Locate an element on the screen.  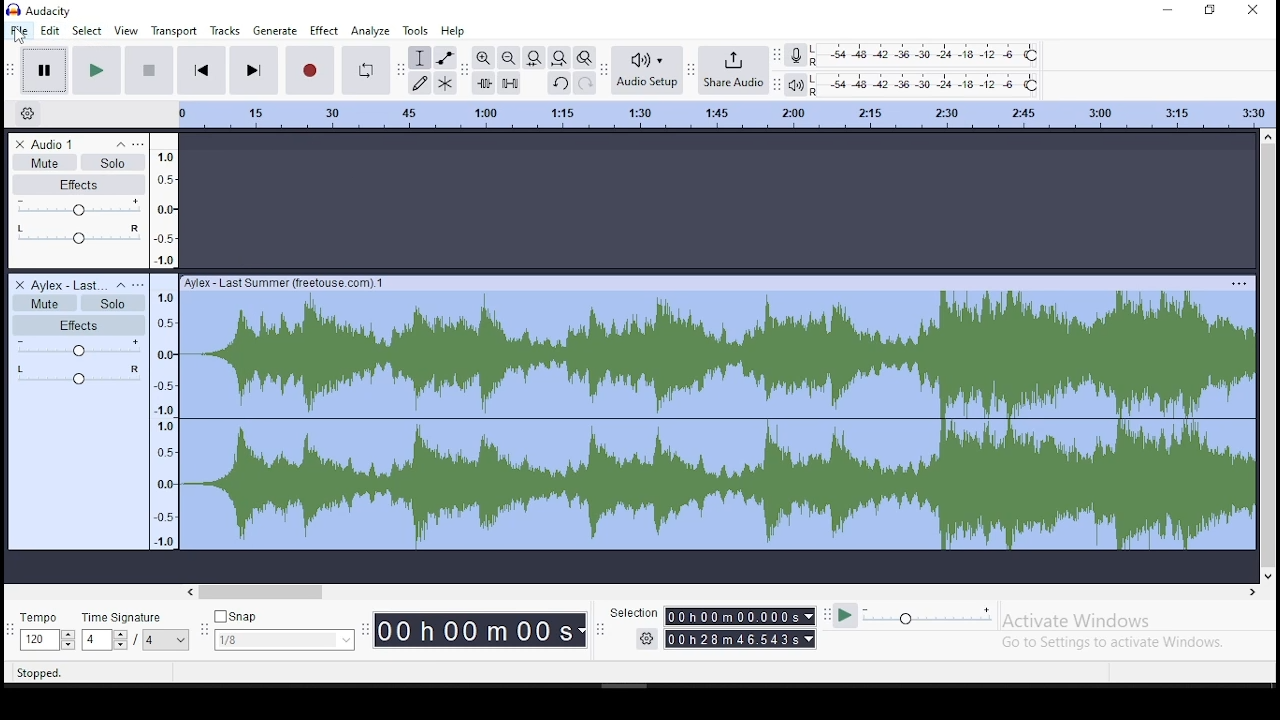
audio track name is located at coordinates (71, 284).